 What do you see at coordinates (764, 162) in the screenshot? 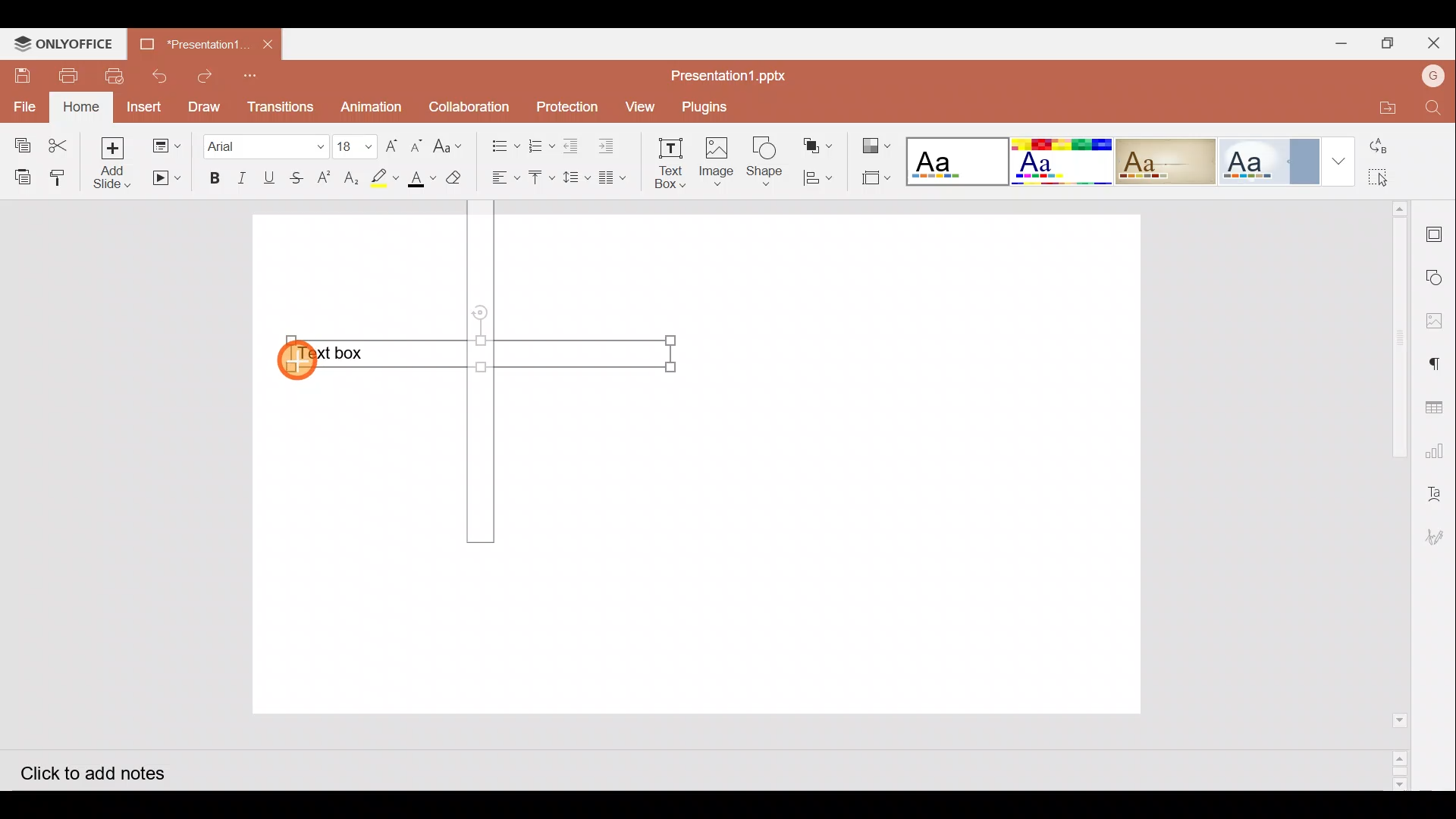
I see `Insert Shape` at bounding box center [764, 162].